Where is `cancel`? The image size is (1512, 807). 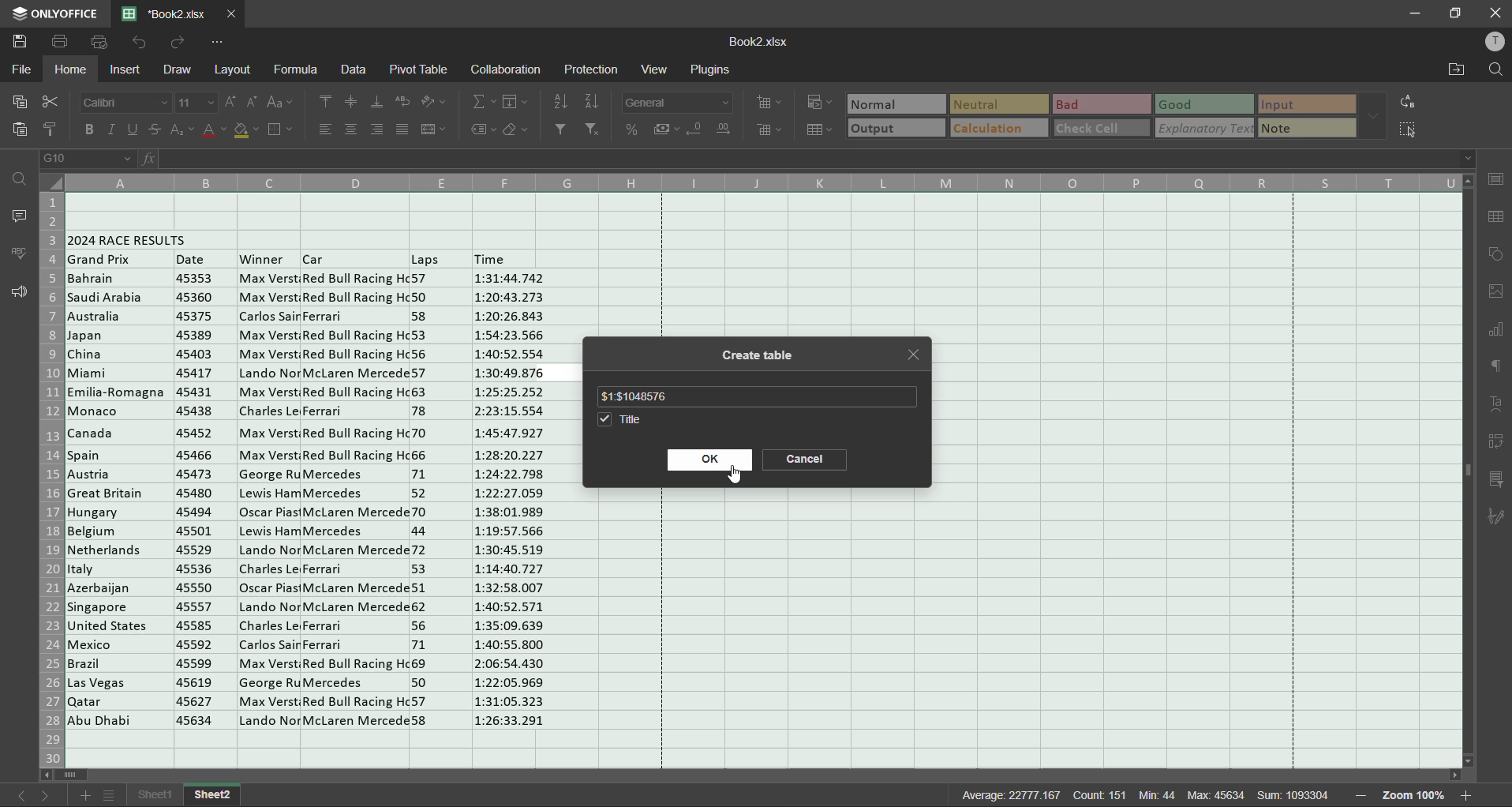 cancel is located at coordinates (803, 460).